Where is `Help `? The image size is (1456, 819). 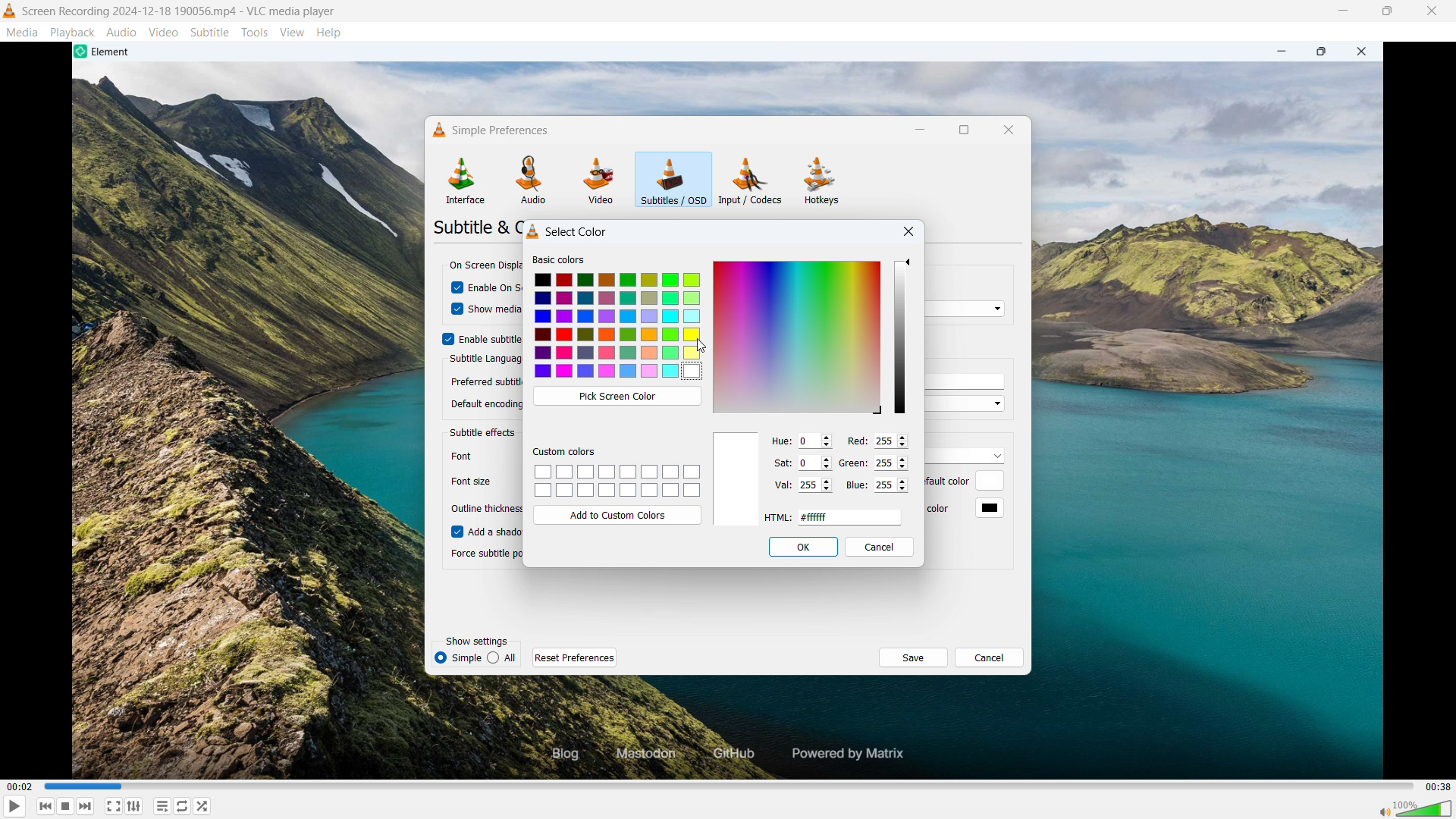
Help  is located at coordinates (329, 32).